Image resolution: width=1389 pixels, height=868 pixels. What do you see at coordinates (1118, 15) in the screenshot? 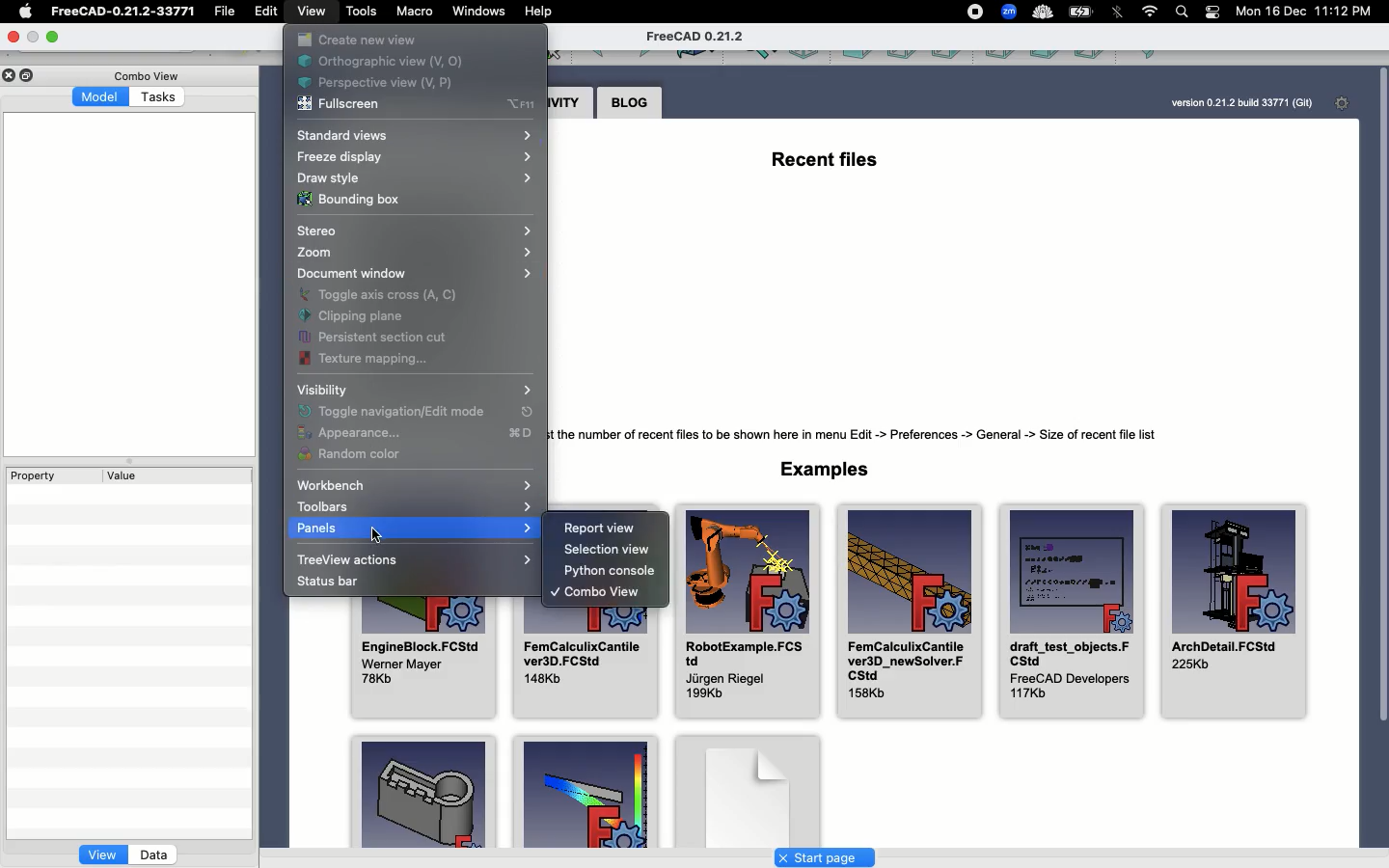
I see `Bluetooth` at bounding box center [1118, 15].